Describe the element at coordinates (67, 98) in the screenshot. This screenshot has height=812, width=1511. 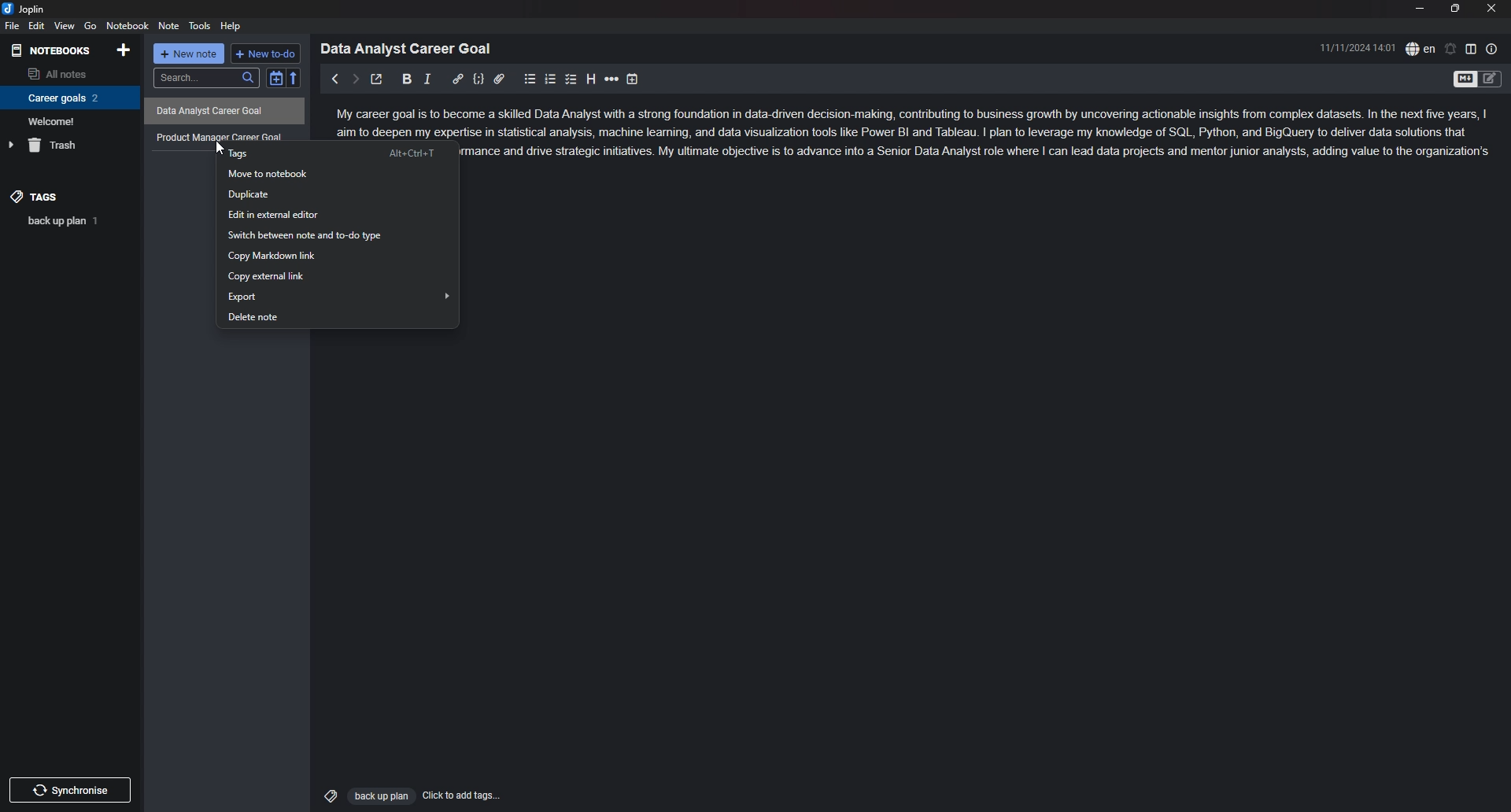
I see `Career goals 2` at that location.